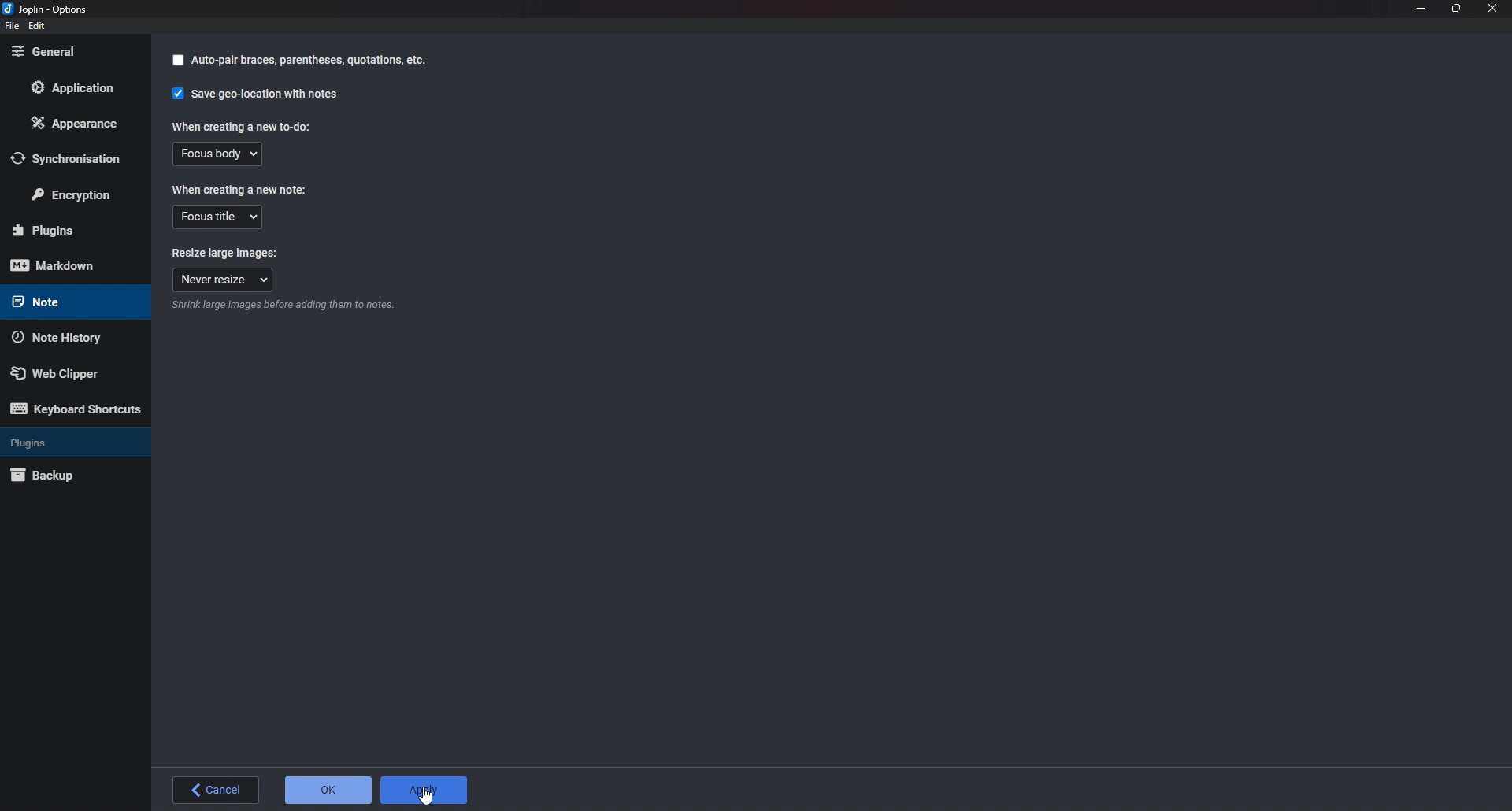 The height and width of the screenshot is (811, 1512). Describe the element at coordinates (71, 444) in the screenshot. I see `Plugins` at that location.